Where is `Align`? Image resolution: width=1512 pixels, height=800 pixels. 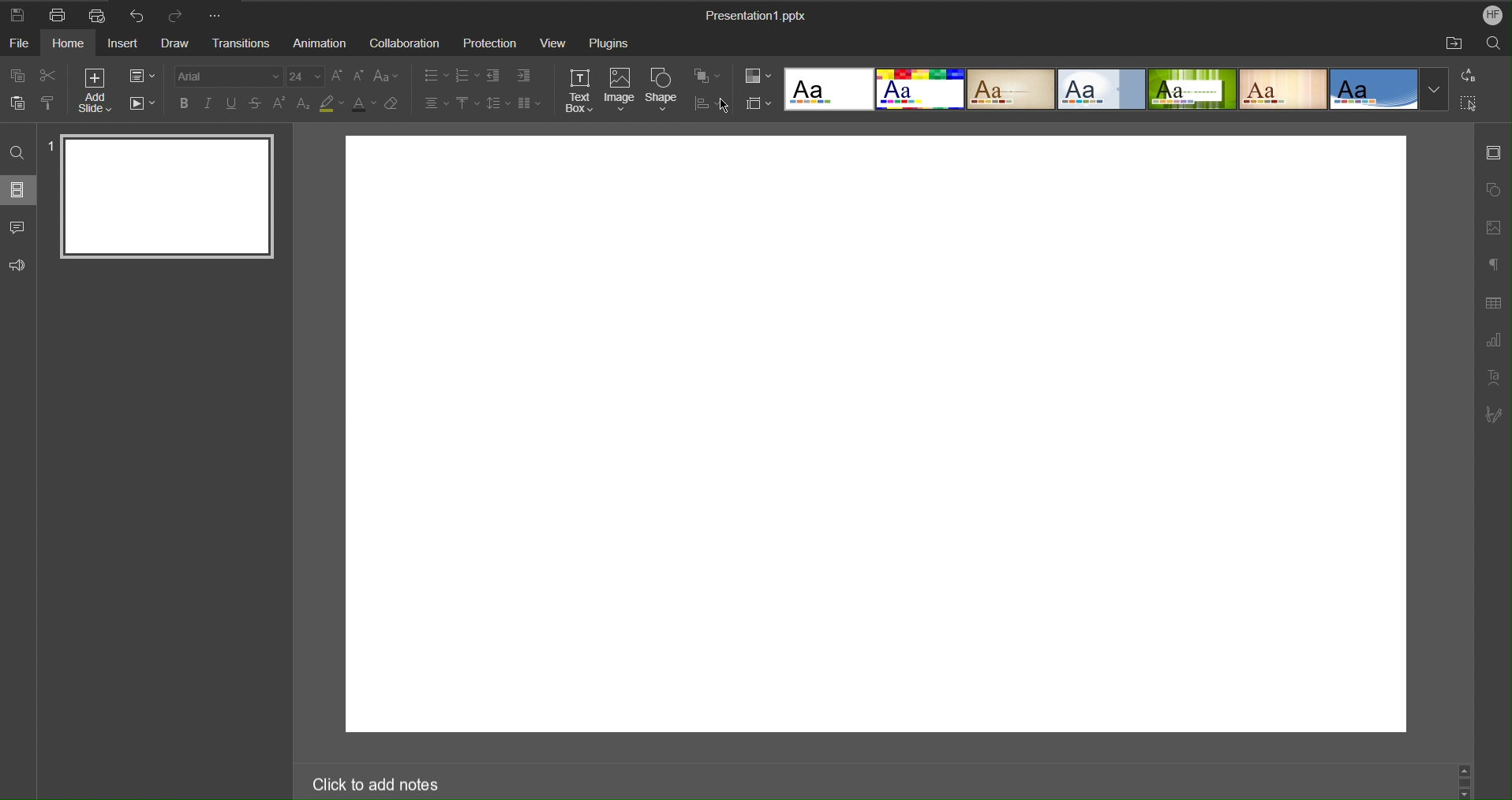 Align is located at coordinates (436, 104).